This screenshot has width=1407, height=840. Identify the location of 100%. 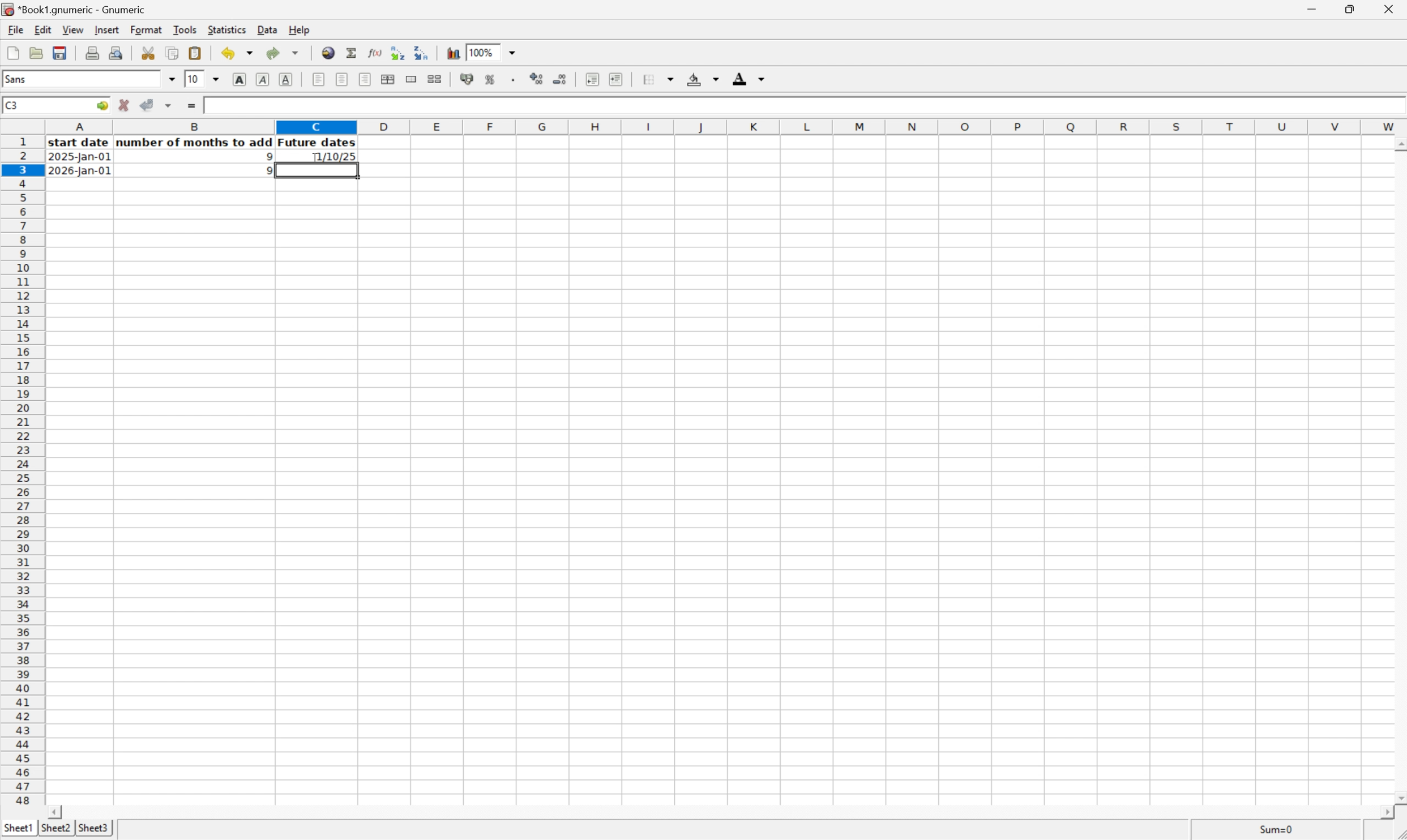
(480, 52).